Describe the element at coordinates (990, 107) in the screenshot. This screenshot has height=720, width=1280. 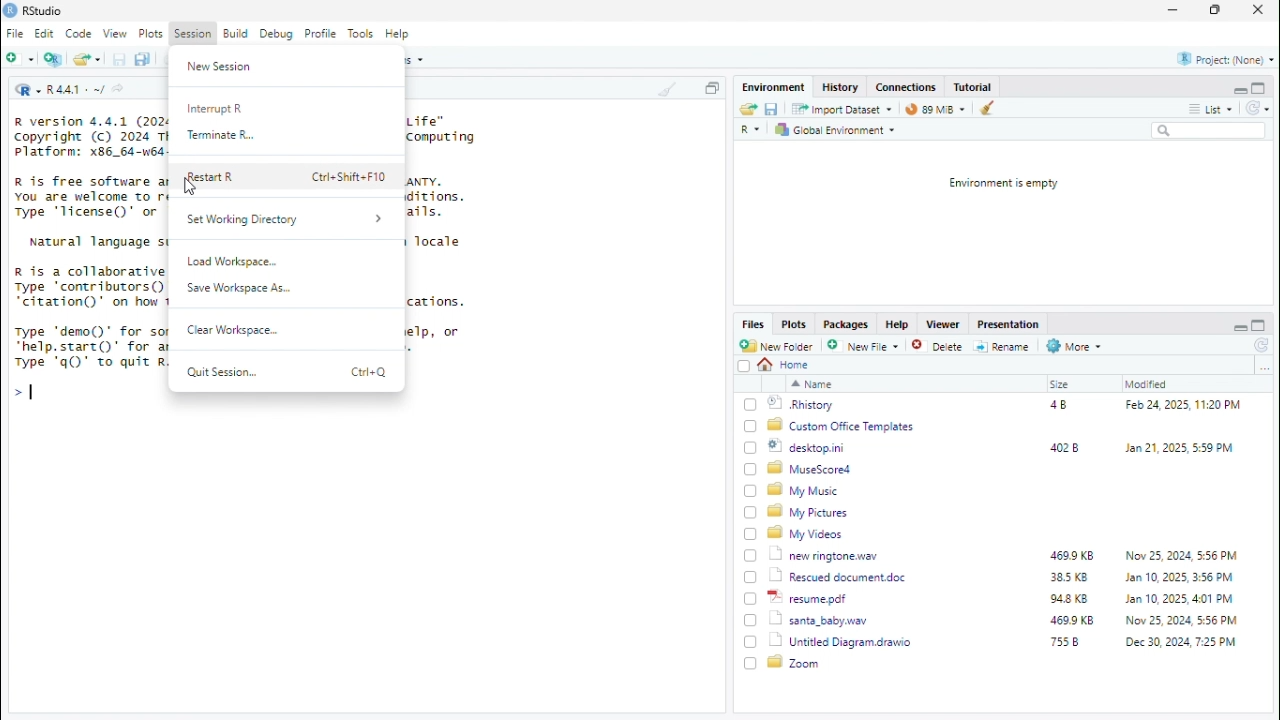
I see `clean` at that location.